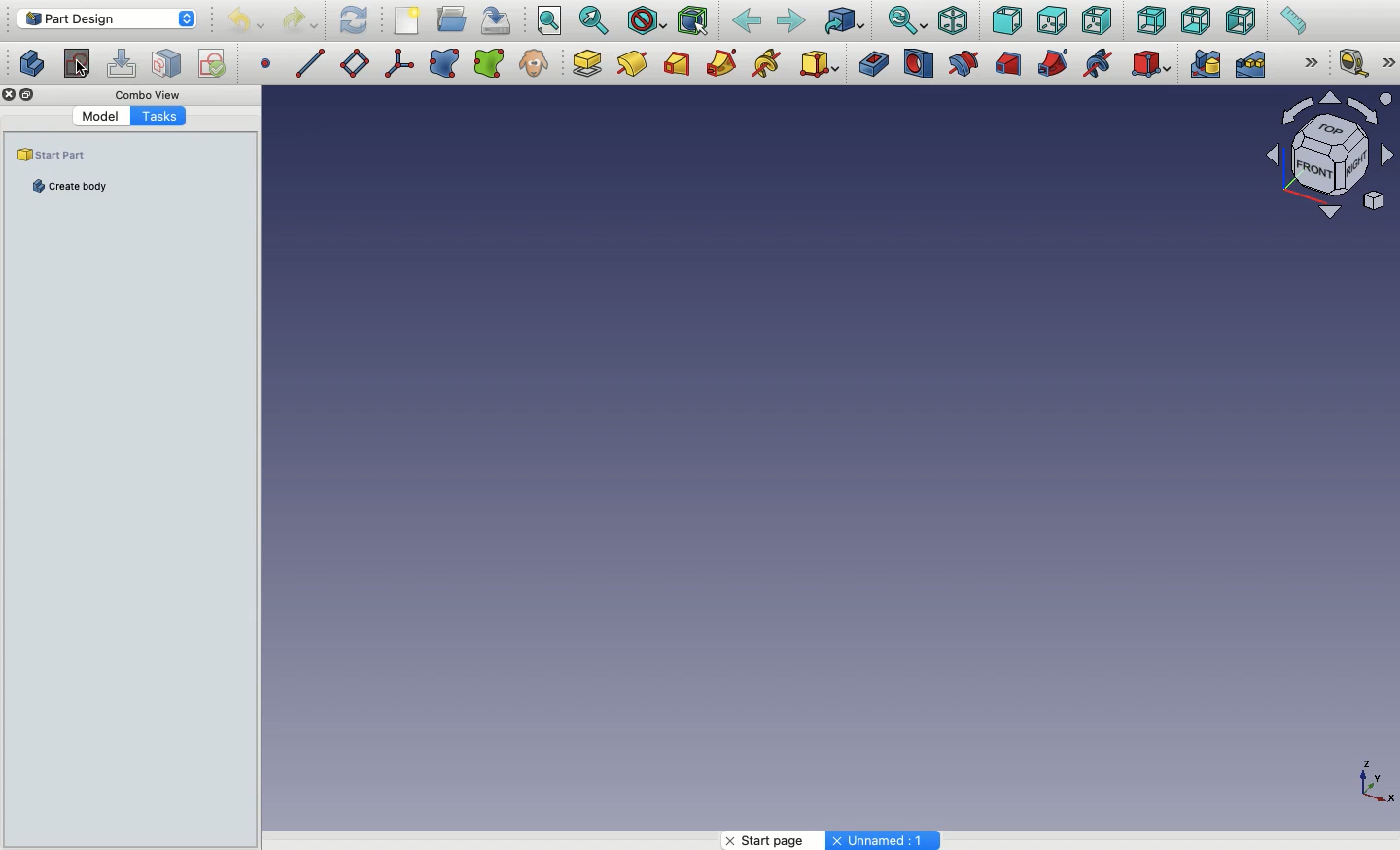 This screenshot has width=1400, height=850. What do you see at coordinates (1292, 22) in the screenshot?
I see `Measure` at bounding box center [1292, 22].